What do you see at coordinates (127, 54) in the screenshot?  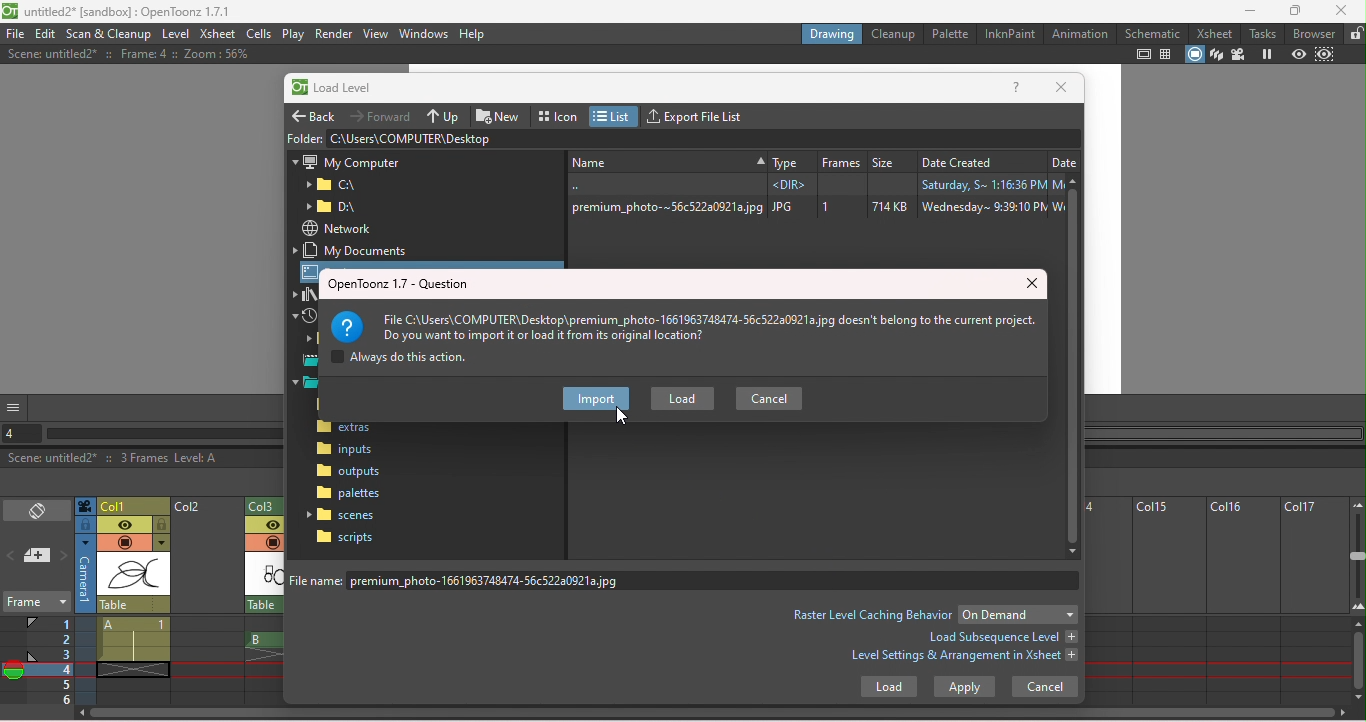 I see `Scene: untitled2* : Frame: 4 :: Zoom: 56%` at bounding box center [127, 54].